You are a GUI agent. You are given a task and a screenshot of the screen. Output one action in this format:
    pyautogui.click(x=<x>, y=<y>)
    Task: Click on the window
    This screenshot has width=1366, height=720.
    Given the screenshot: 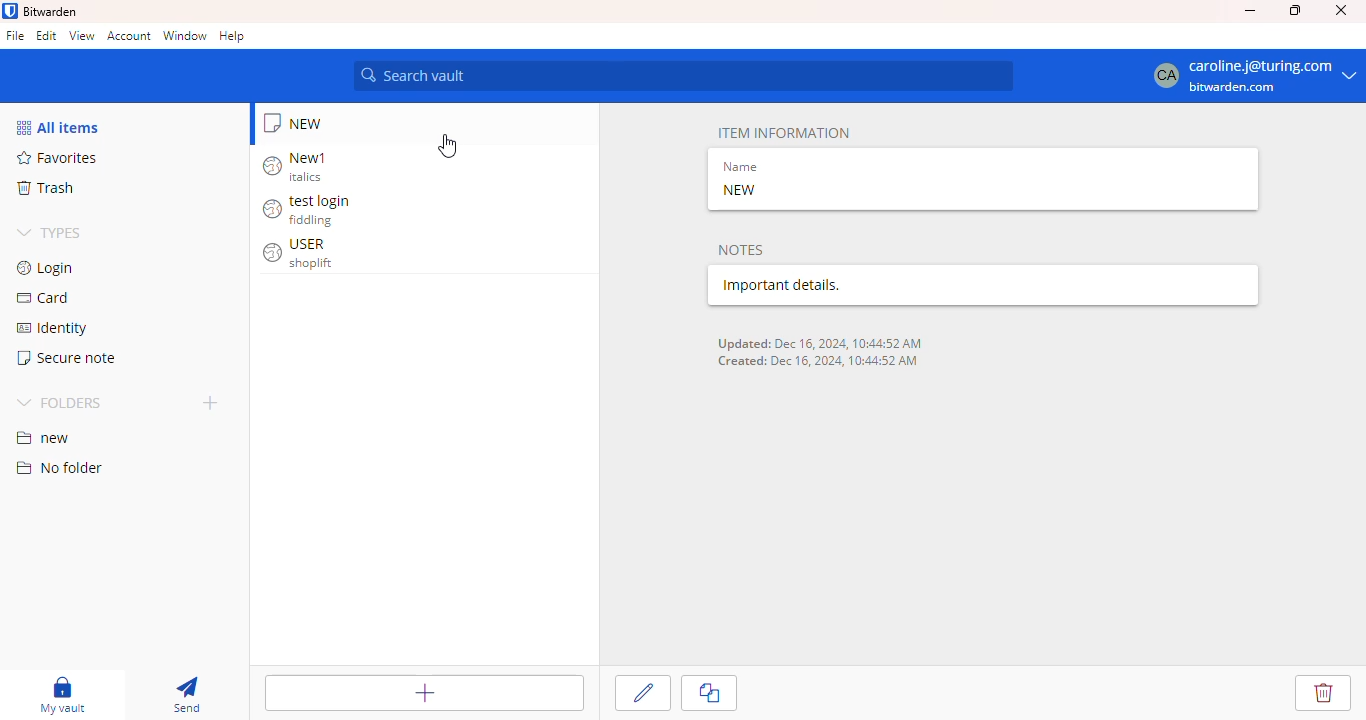 What is the action you would take?
    pyautogui.click(x=185, y=35)
    